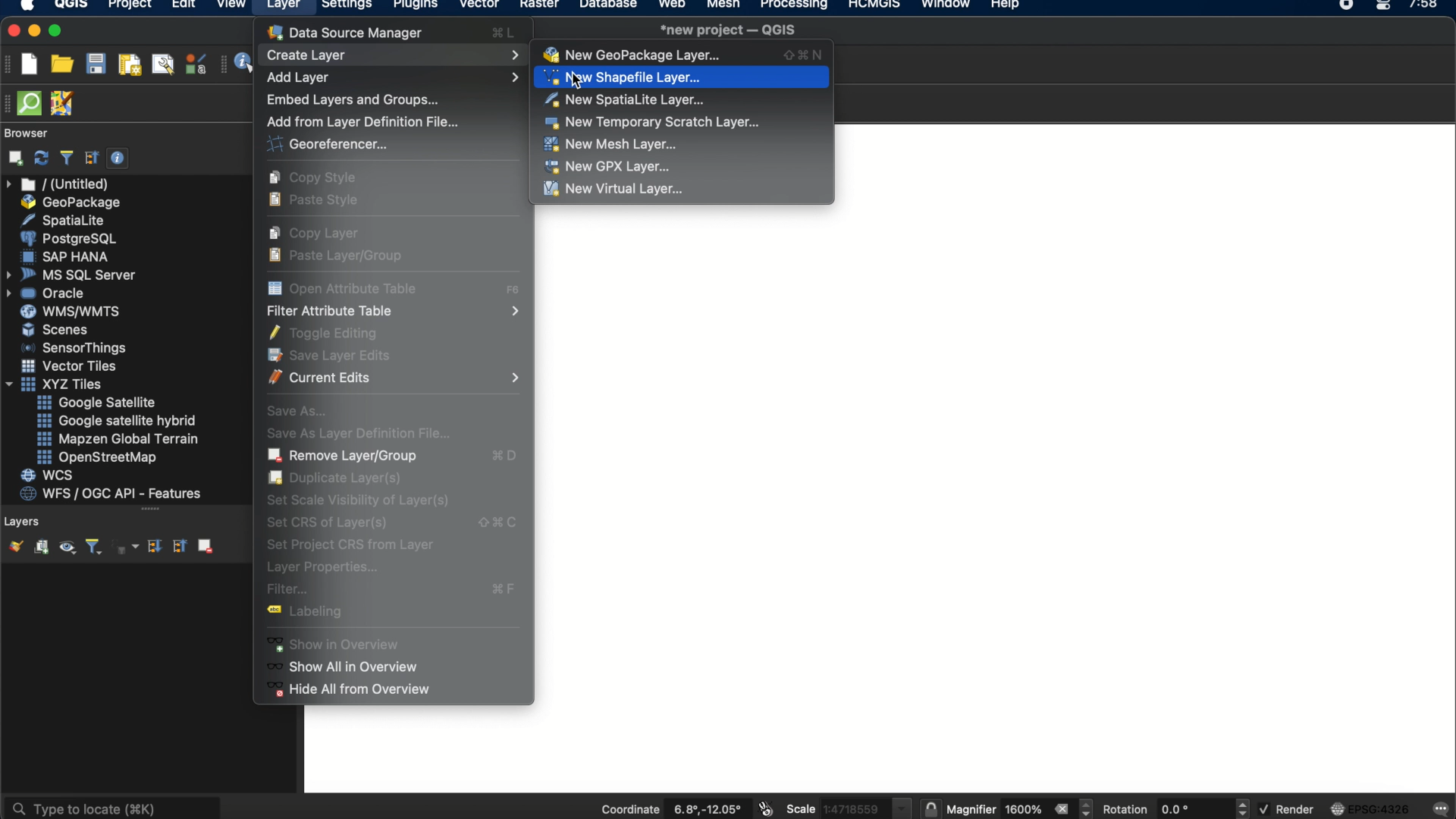 This screenshot has height=819, width=1456. Describe the element at coordinates (798, 6) in the screenshot. I see `processing` at that location.